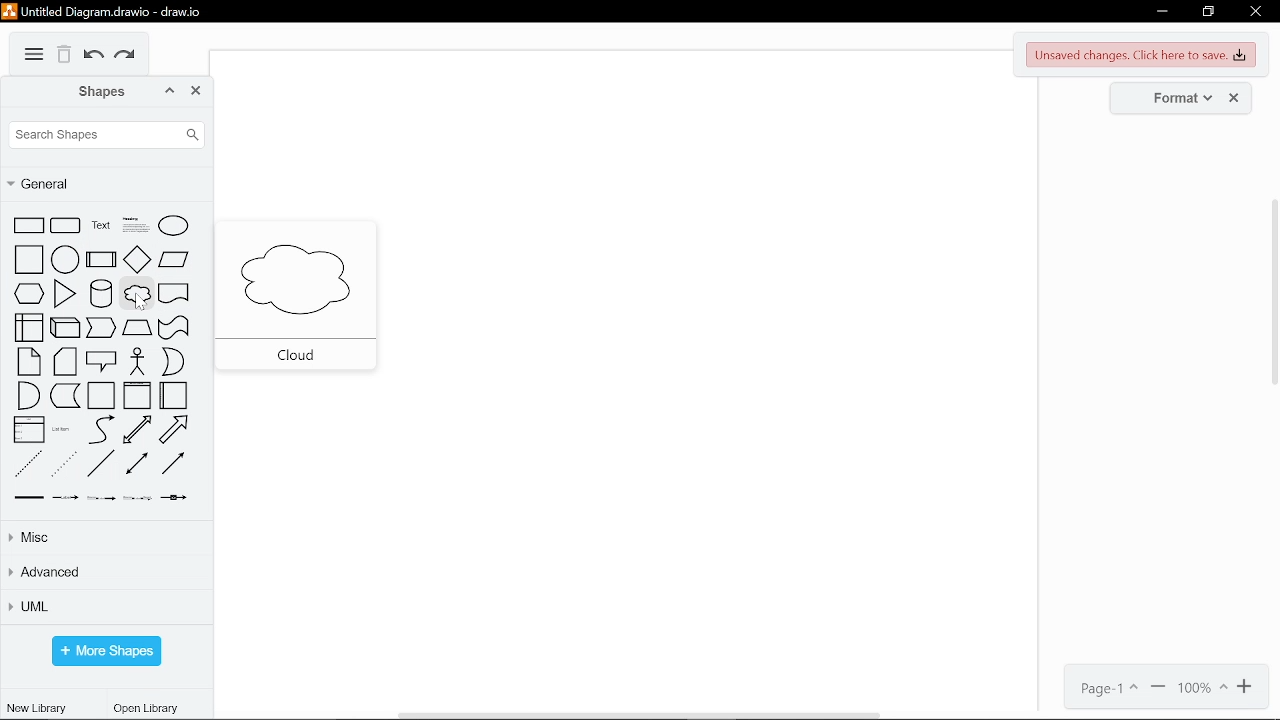 This screenshot has height=720, width=1280. I want to click on bidirectional arrow, so click(137, 430).